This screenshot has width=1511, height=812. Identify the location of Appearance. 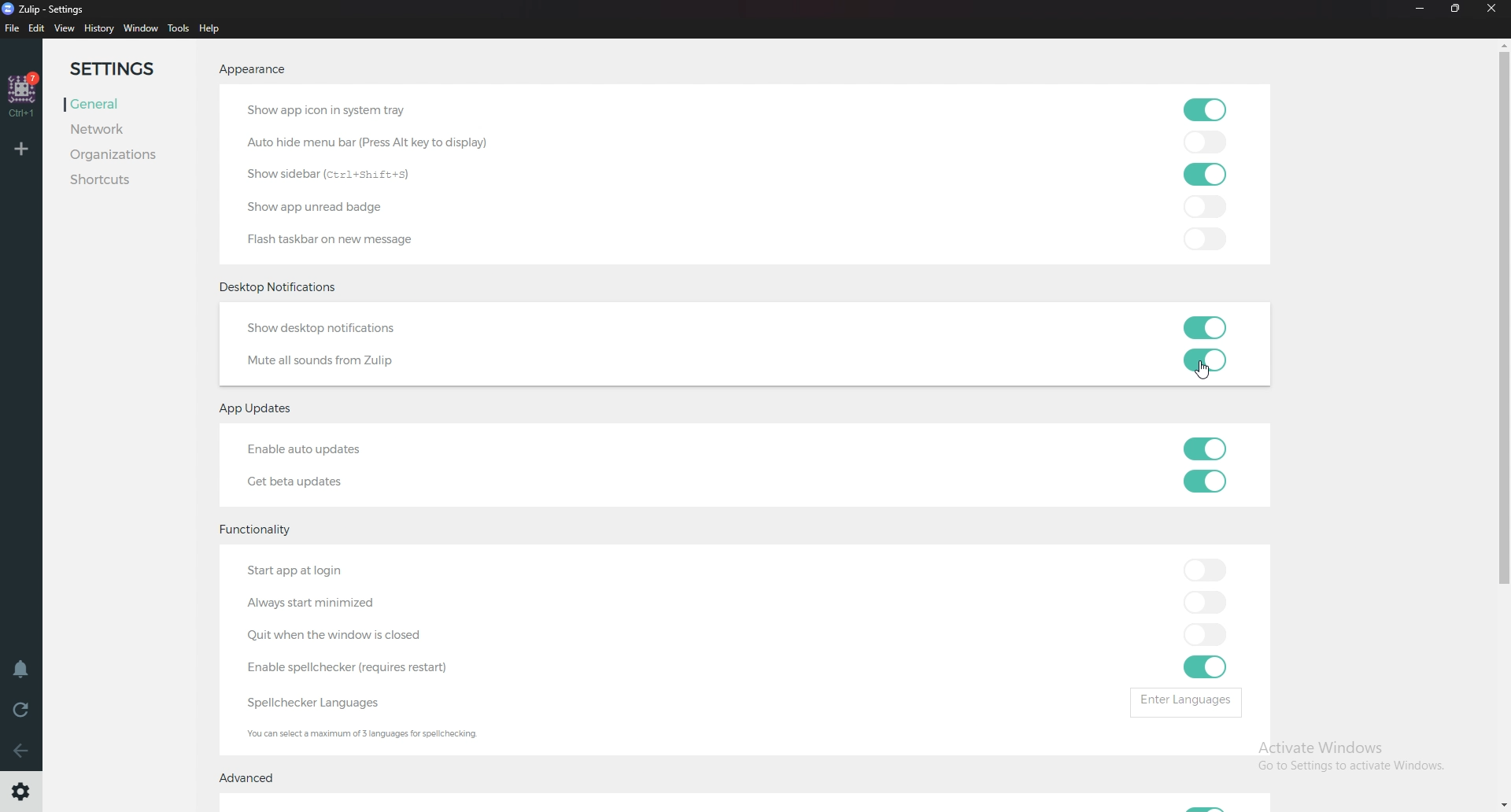
(253, 68).